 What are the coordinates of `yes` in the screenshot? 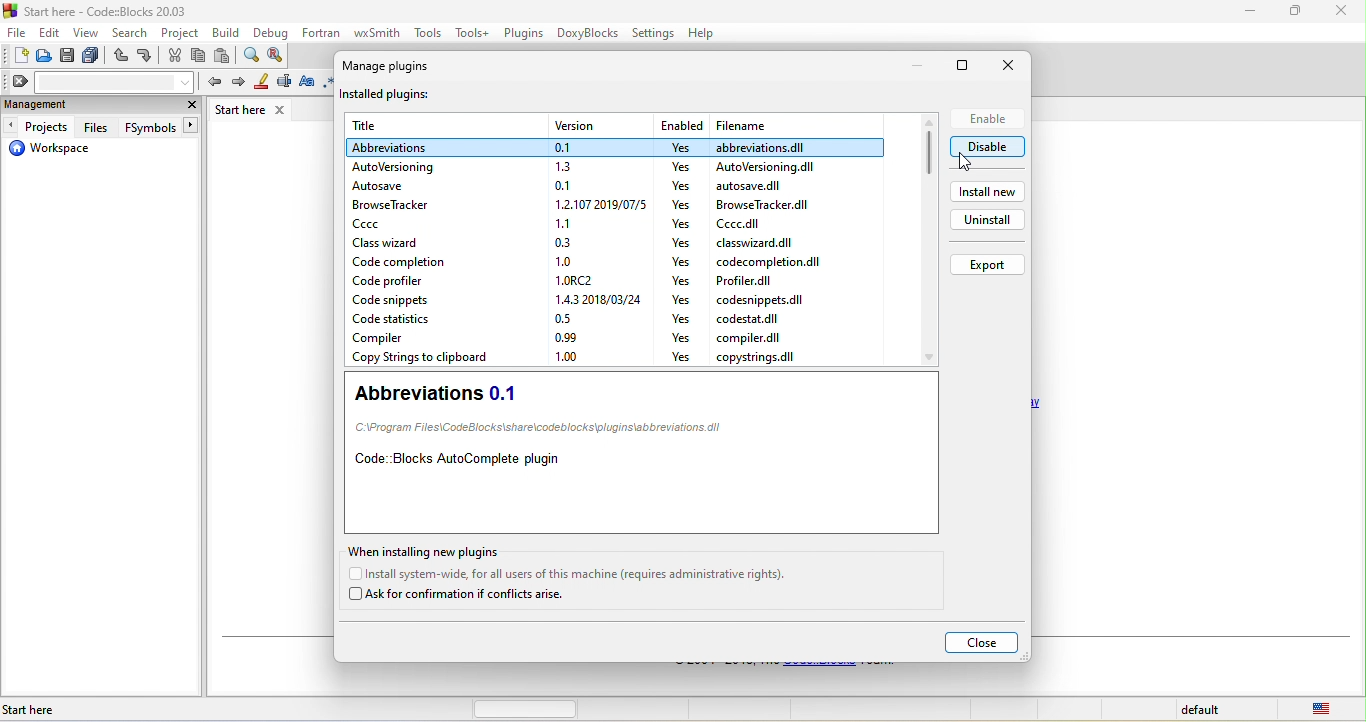 It's located at (686, 186).